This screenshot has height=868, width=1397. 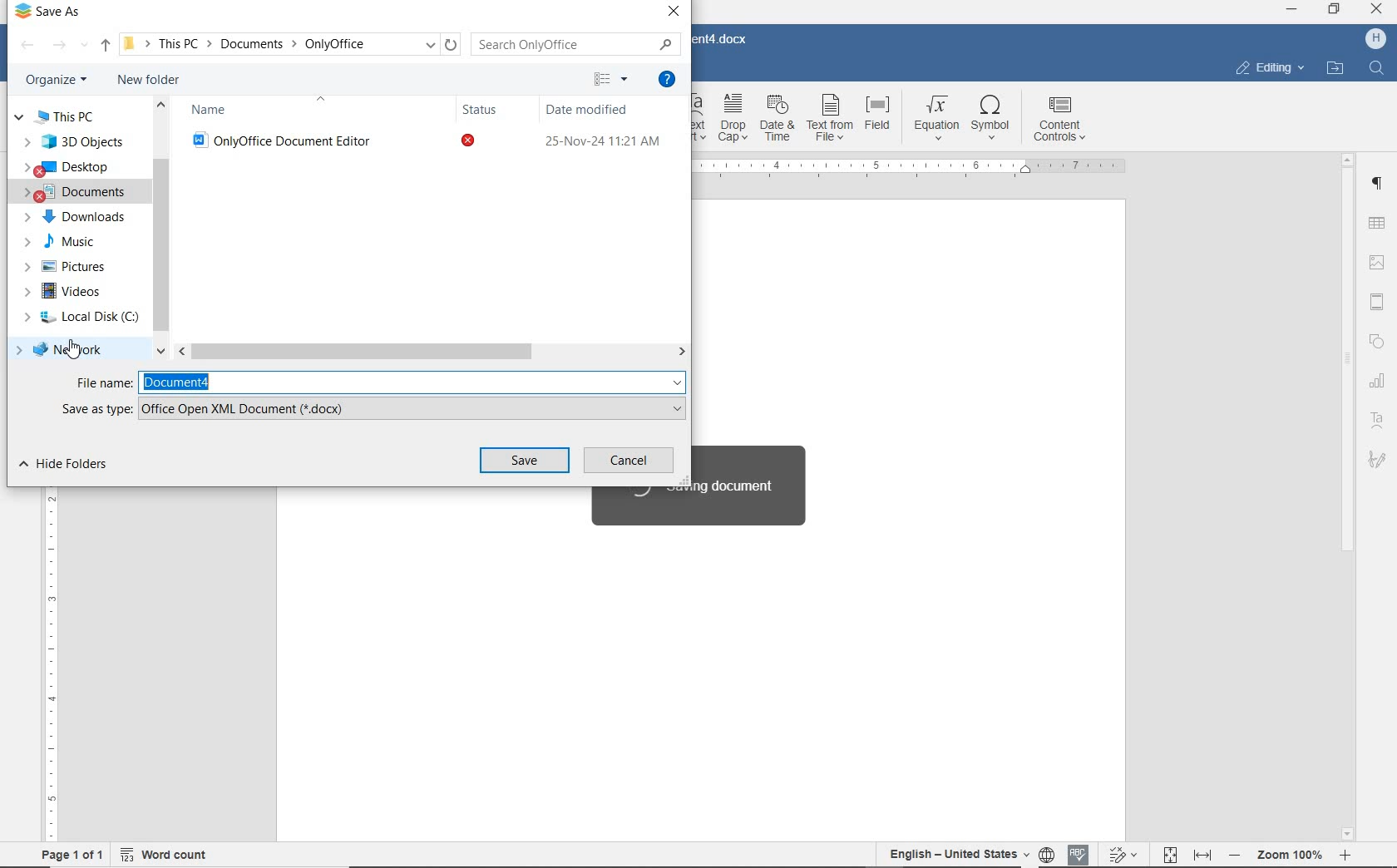 I want to click on DOCUMENTS, so click(x=71, y=192).